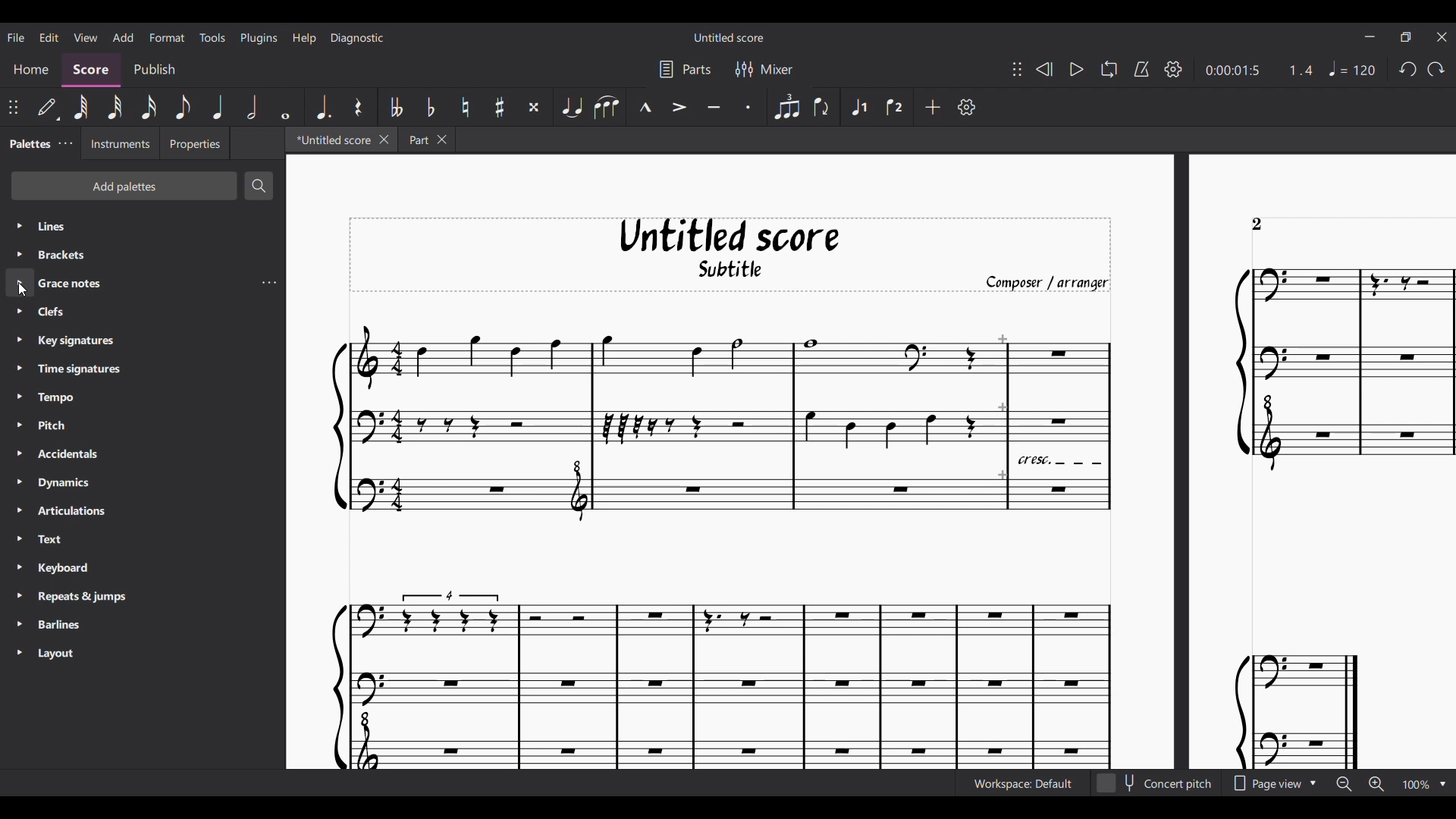 The height and width of the screenshot is (819, 1456). Describe the element at coordinates (331, 140) in the screenshot. I see `Current tab` at that location.